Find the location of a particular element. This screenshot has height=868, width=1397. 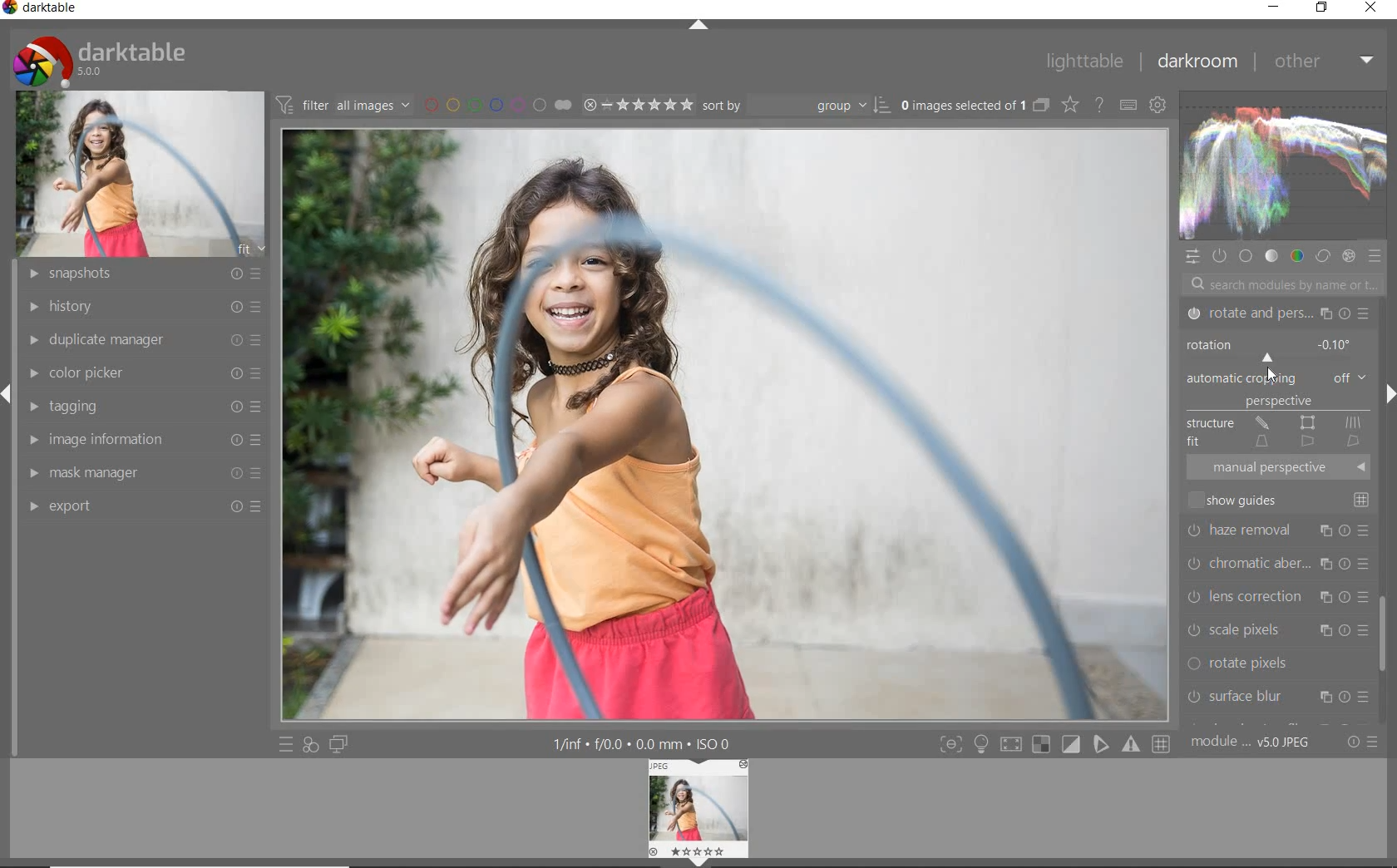

other interface details is located at coordinates (638, 744).